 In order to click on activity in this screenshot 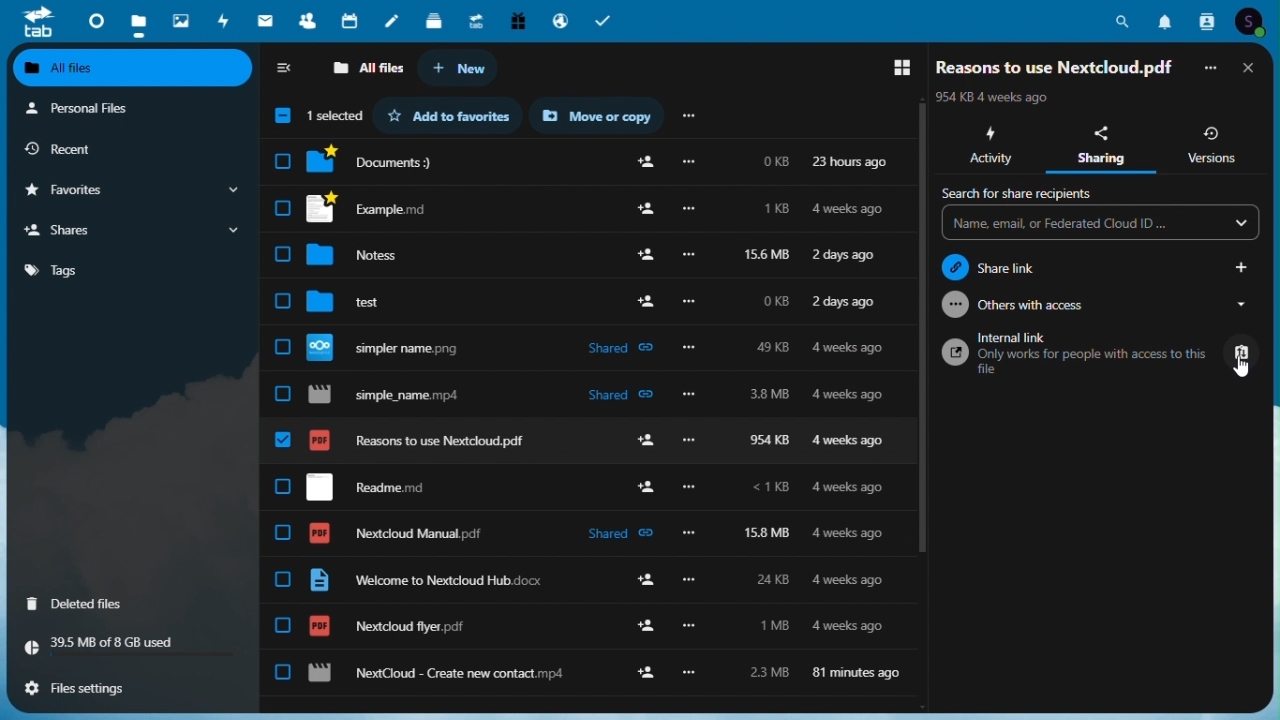, I will do `click(987, 147)`.